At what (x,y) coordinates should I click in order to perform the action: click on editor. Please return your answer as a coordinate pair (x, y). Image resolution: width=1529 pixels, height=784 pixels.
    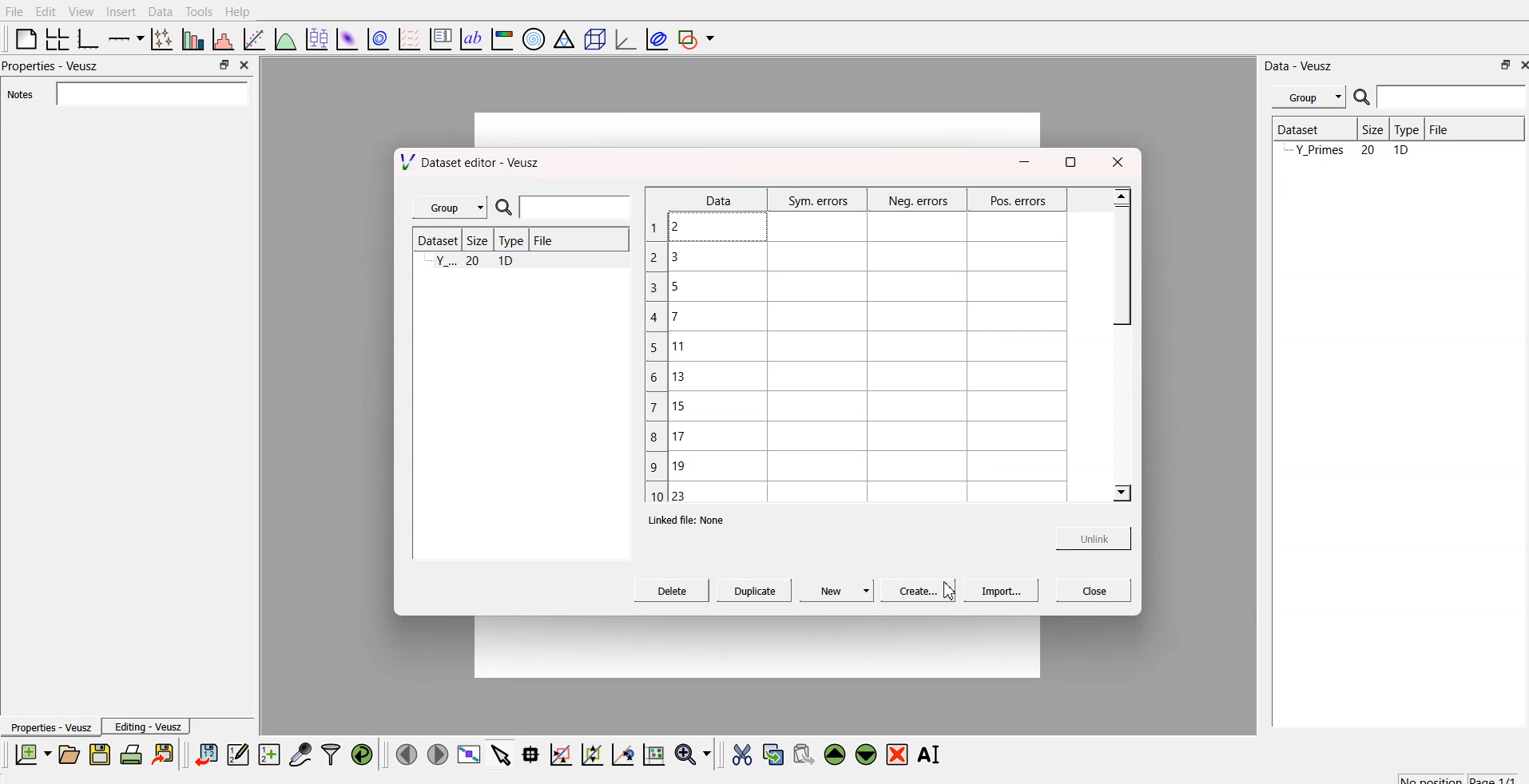
    Looking at the image, I should click on (239, 754).